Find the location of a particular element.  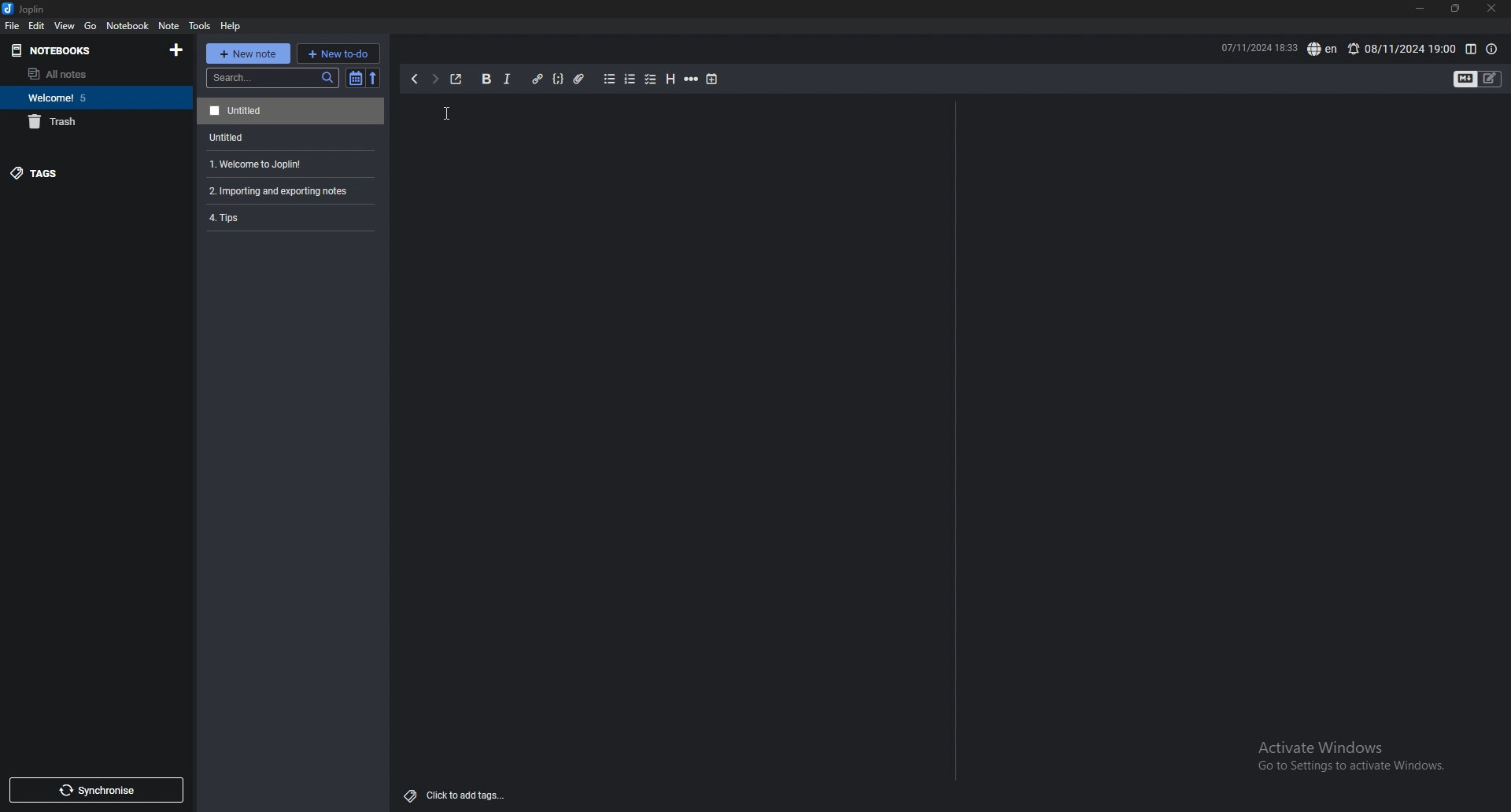

 08/11/2024 19:00 is located at coordinates (1401, 49).